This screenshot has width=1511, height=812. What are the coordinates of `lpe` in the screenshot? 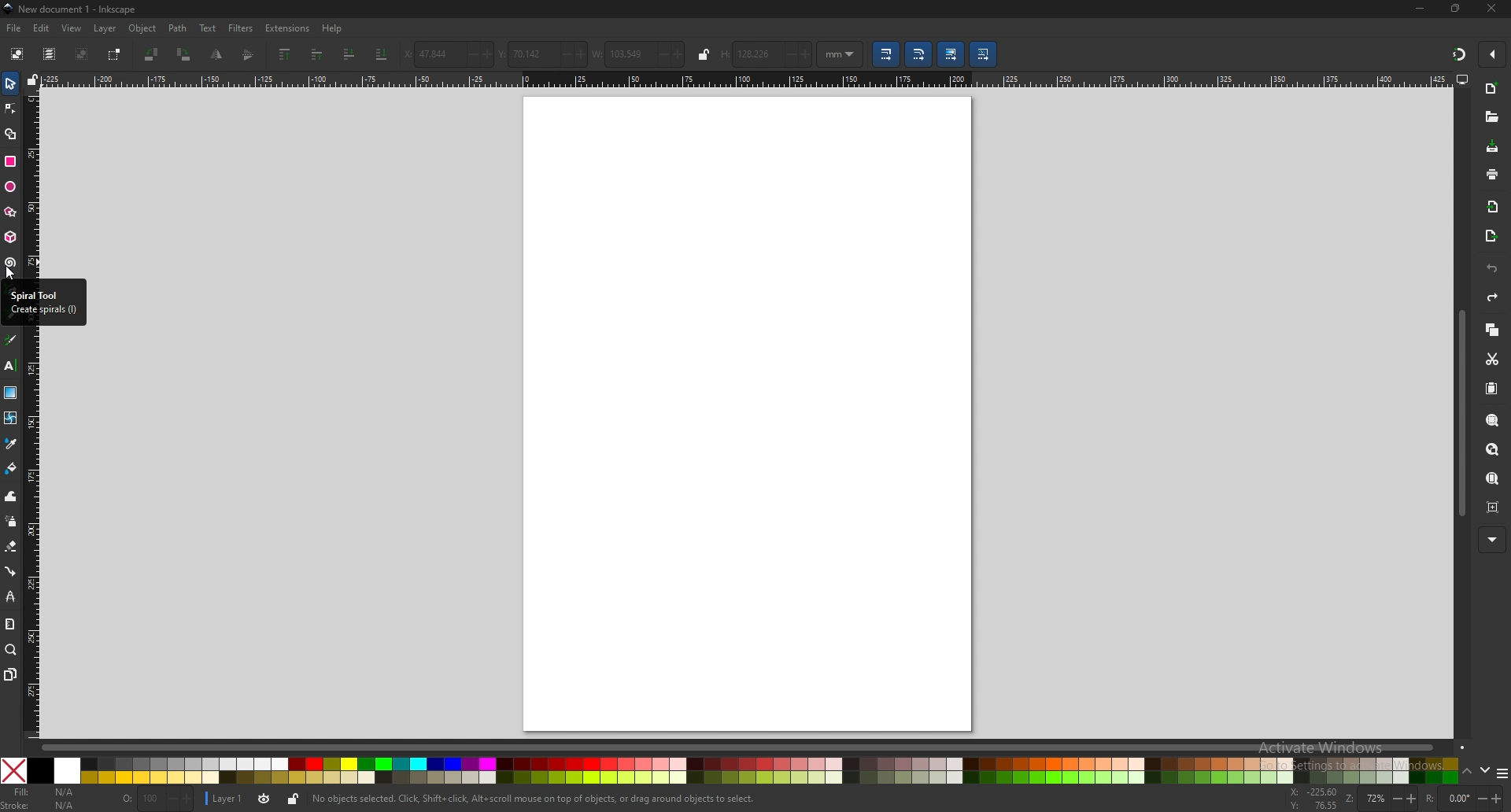 It's located at (10, 598).